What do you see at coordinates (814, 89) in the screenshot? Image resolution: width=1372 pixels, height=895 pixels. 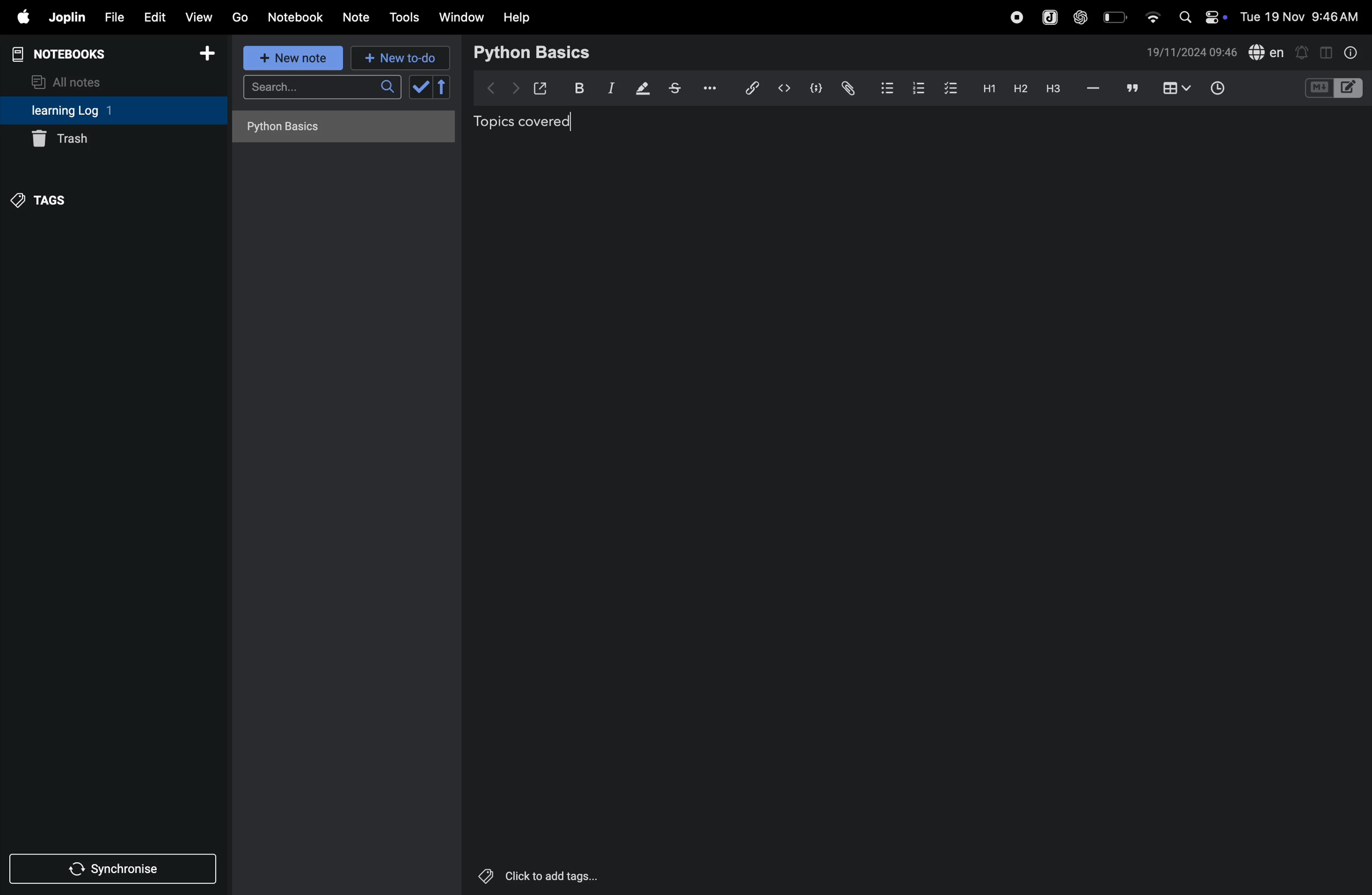 I see `code block` at bounding box center [814, 89].